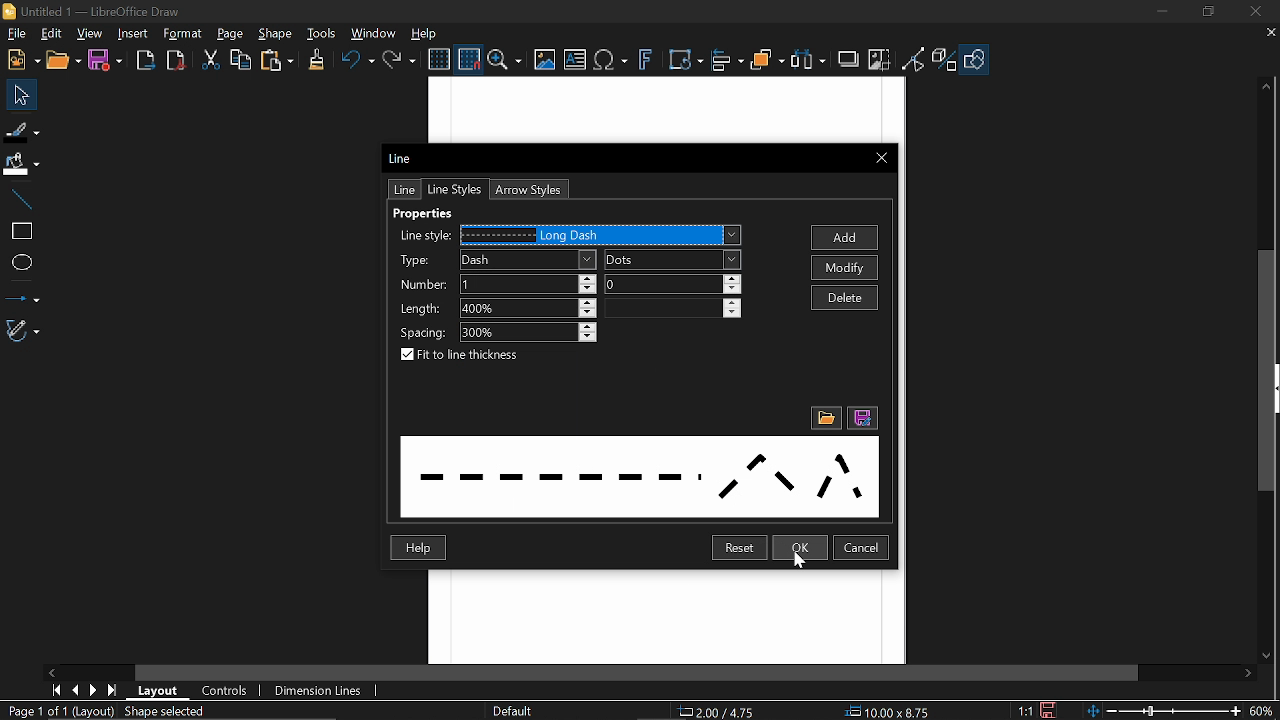  What do you see at coordinates (454, 189) in the screenshot?
I see `Line styles` at bounding box center [454, 189].